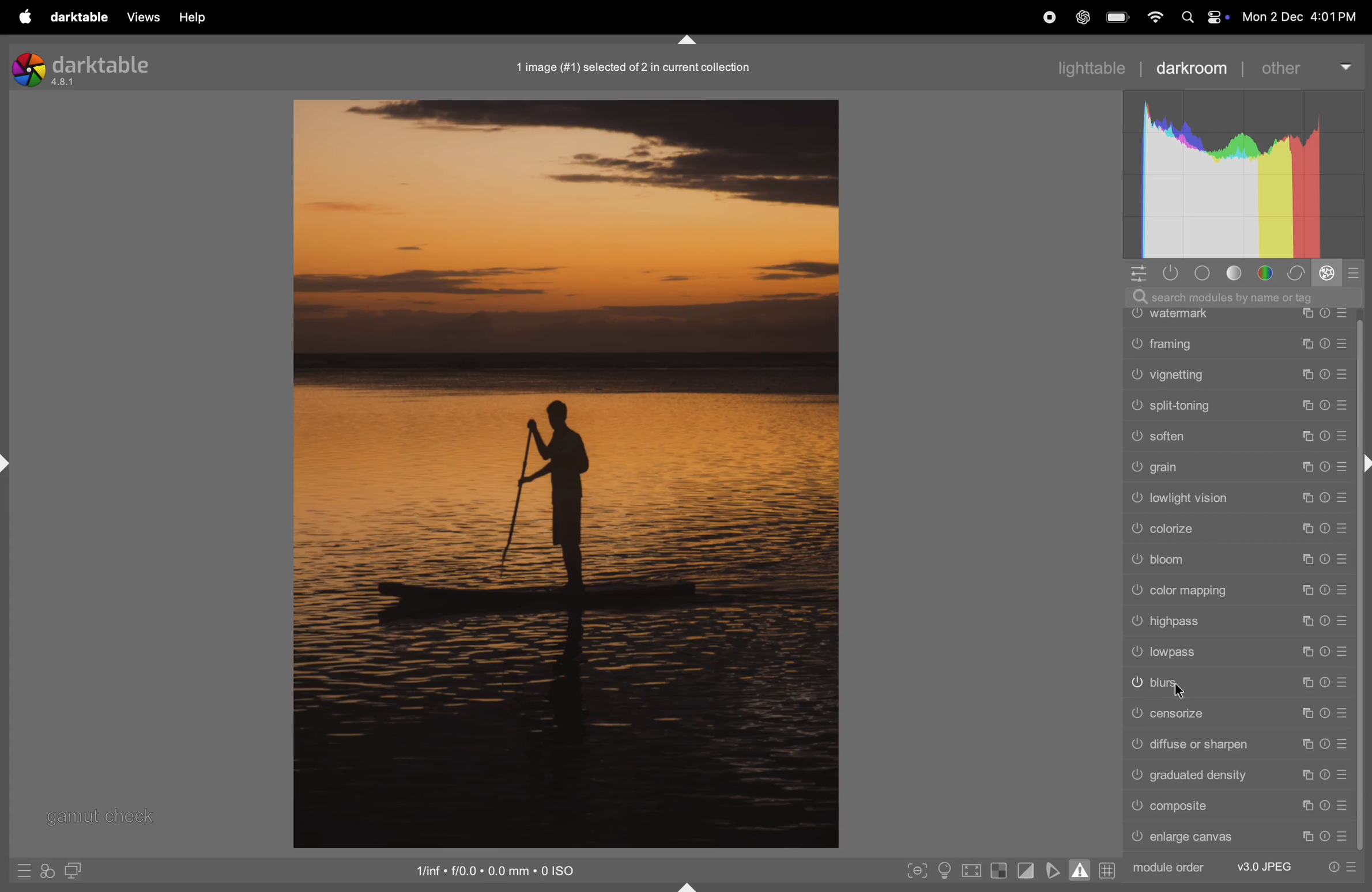  I want to click on v3 jpeg, so click(1264, 867).